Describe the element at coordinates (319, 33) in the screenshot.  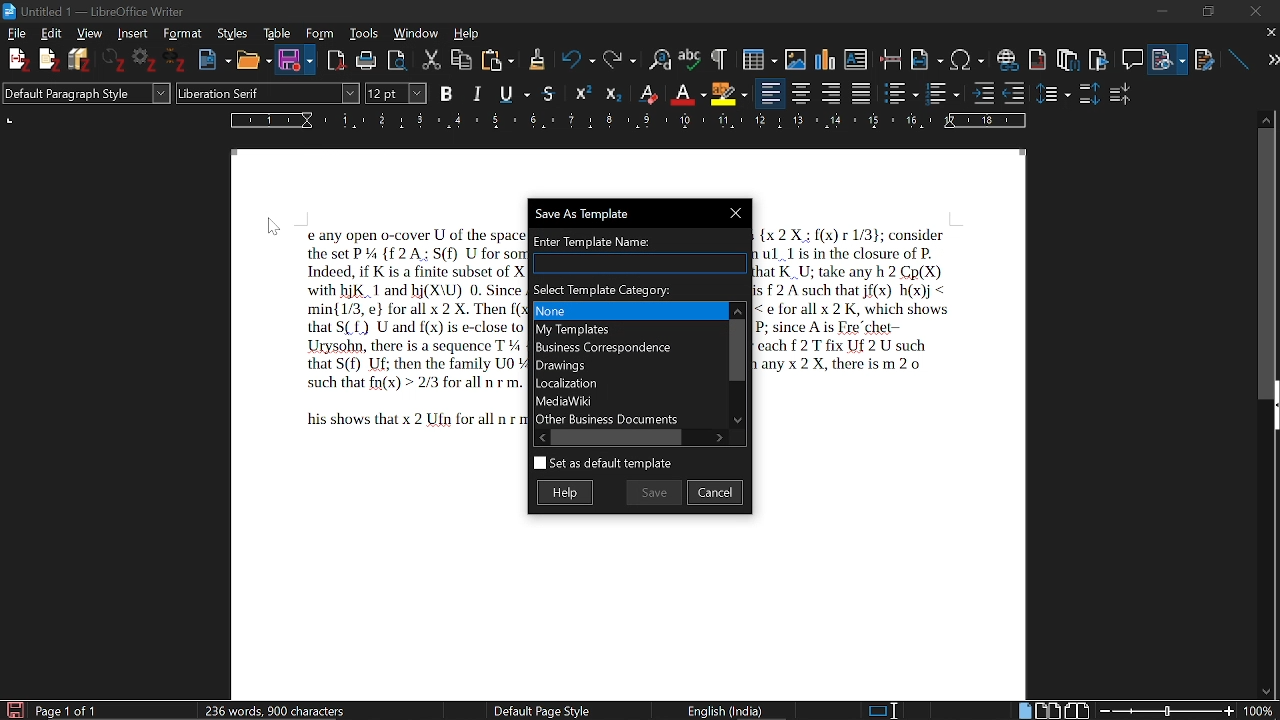
I see `Form` at that location.